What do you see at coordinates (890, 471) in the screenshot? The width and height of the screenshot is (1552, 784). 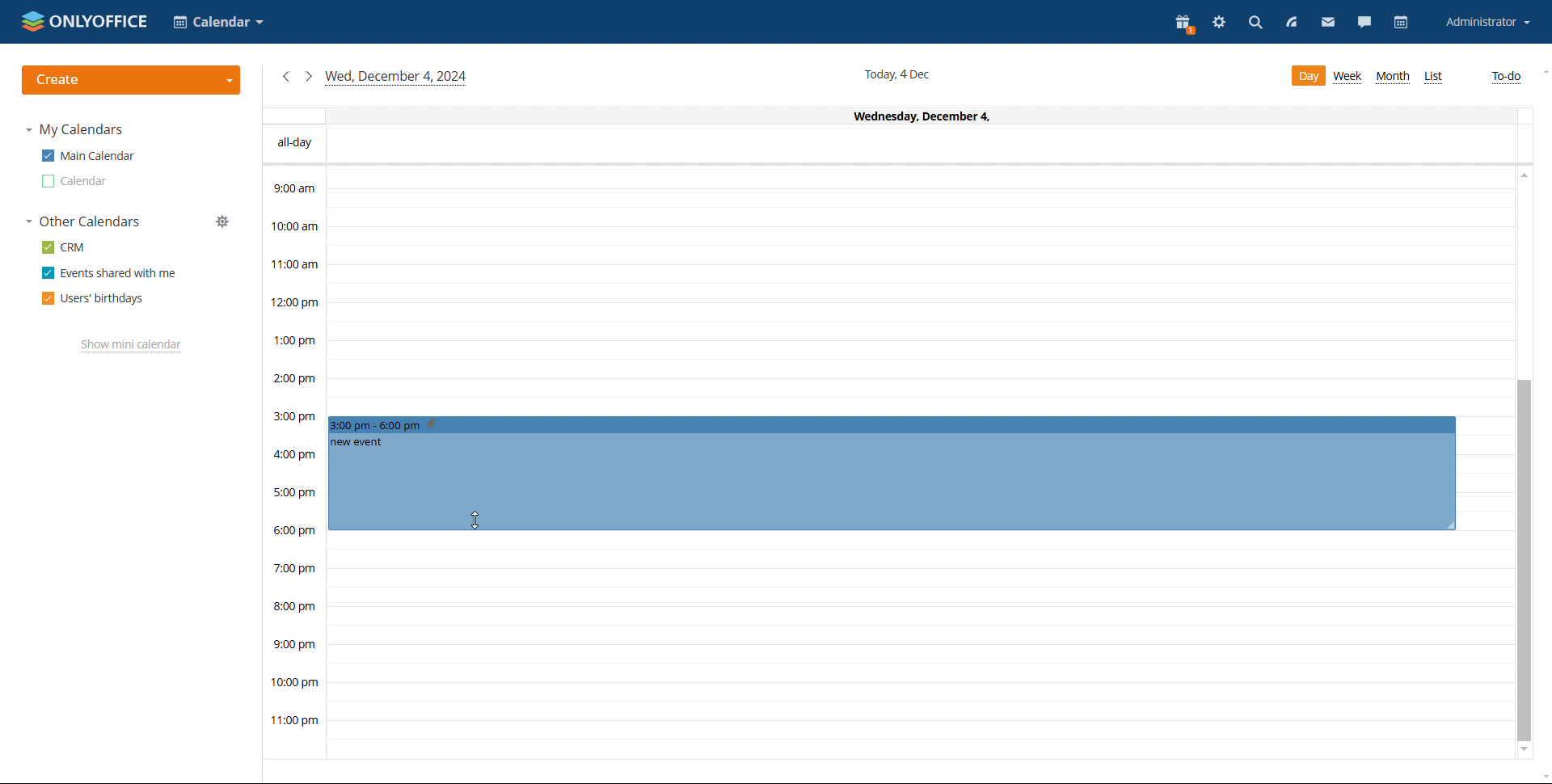 I see `event timings changed` at bounding box center [890, 471].